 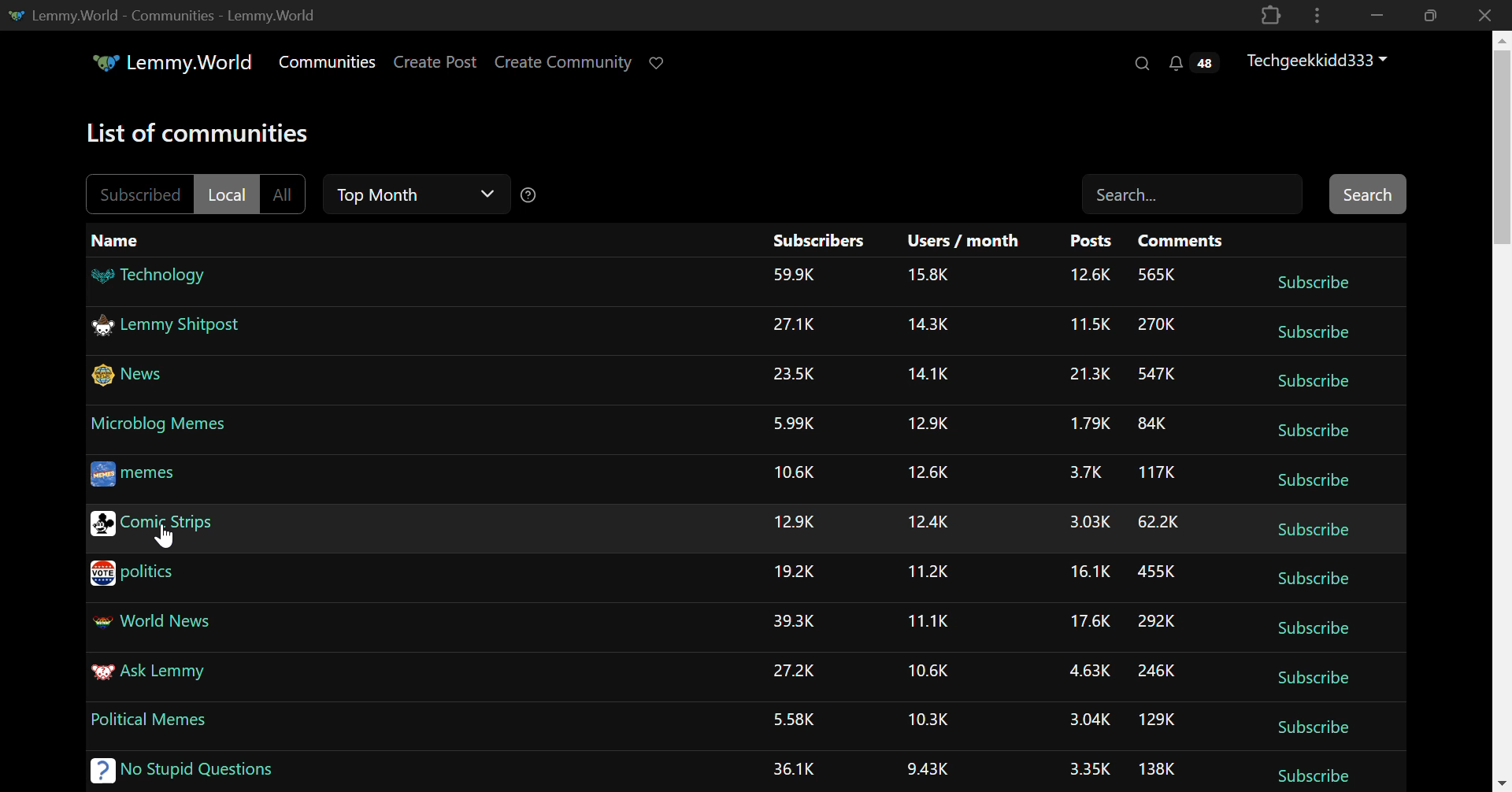 I want to click on 129K, so click(x=1157, y=719).